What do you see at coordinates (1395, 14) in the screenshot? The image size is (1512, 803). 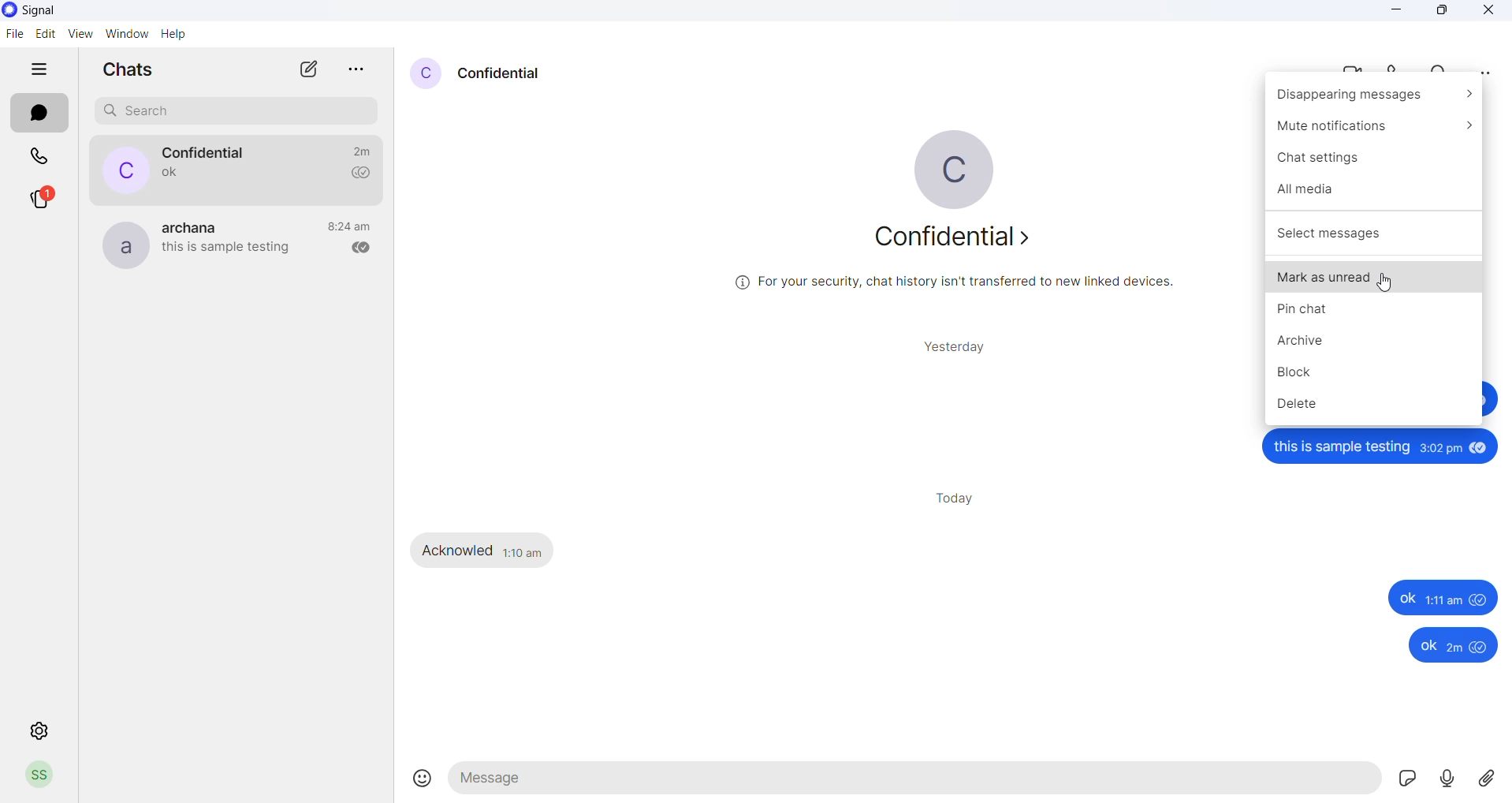 I see `minimize` at bounding box center [1395, 14].